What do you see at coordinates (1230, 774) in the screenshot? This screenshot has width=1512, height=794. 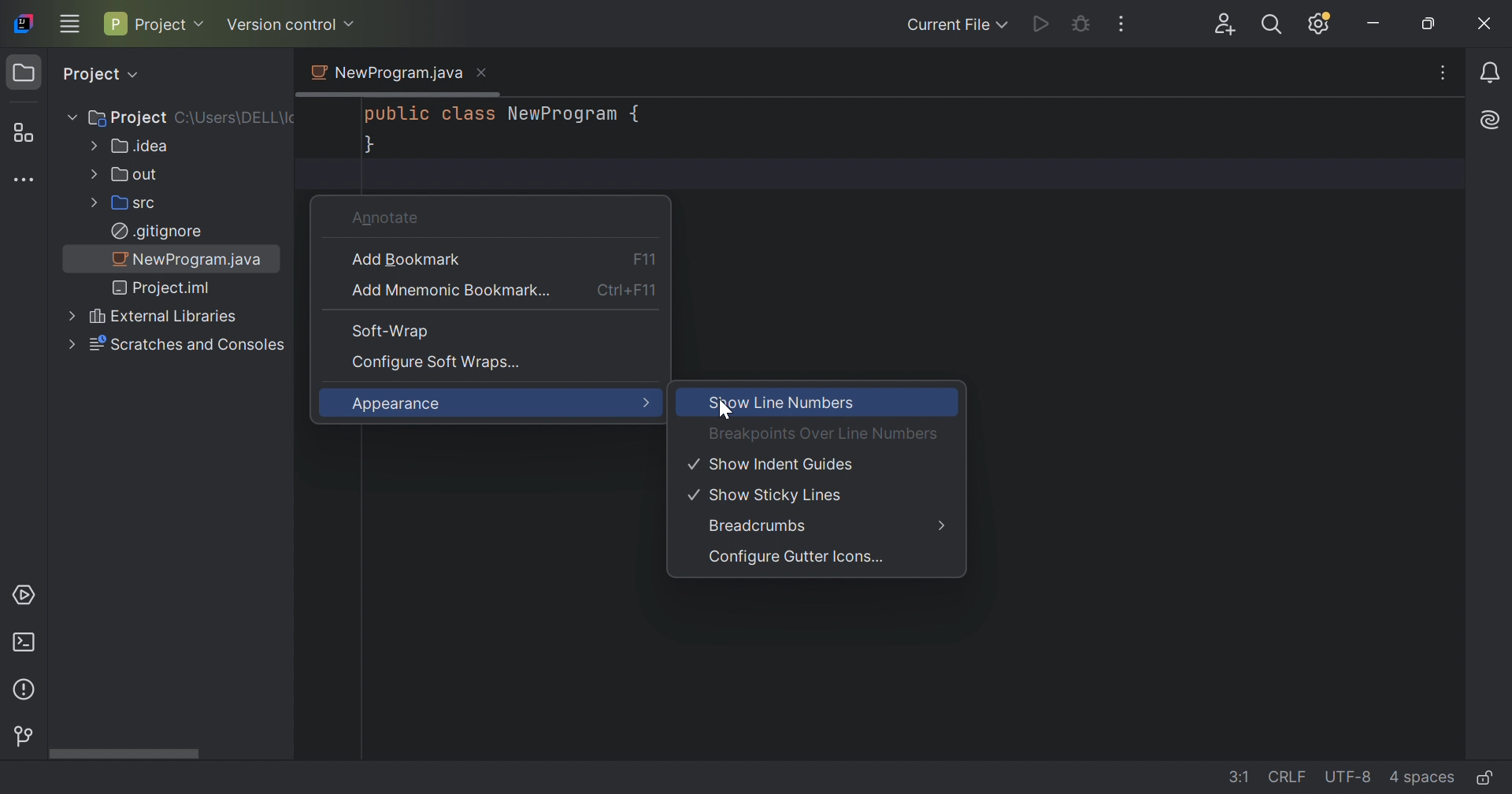 I see `3:2` at bounding box center [1230, 774].